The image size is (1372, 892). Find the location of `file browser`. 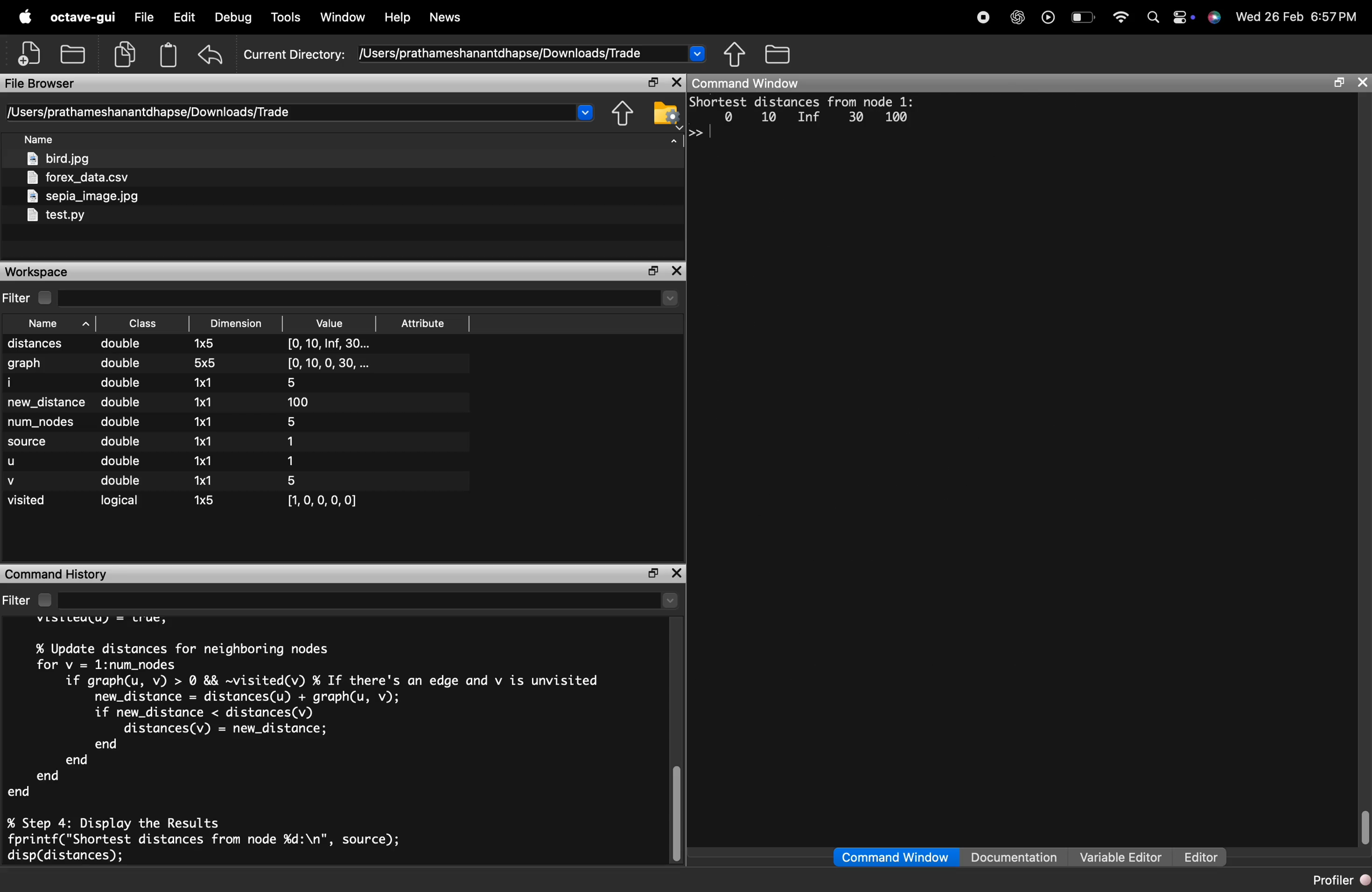

file browser is located at coordinates (43, 84).